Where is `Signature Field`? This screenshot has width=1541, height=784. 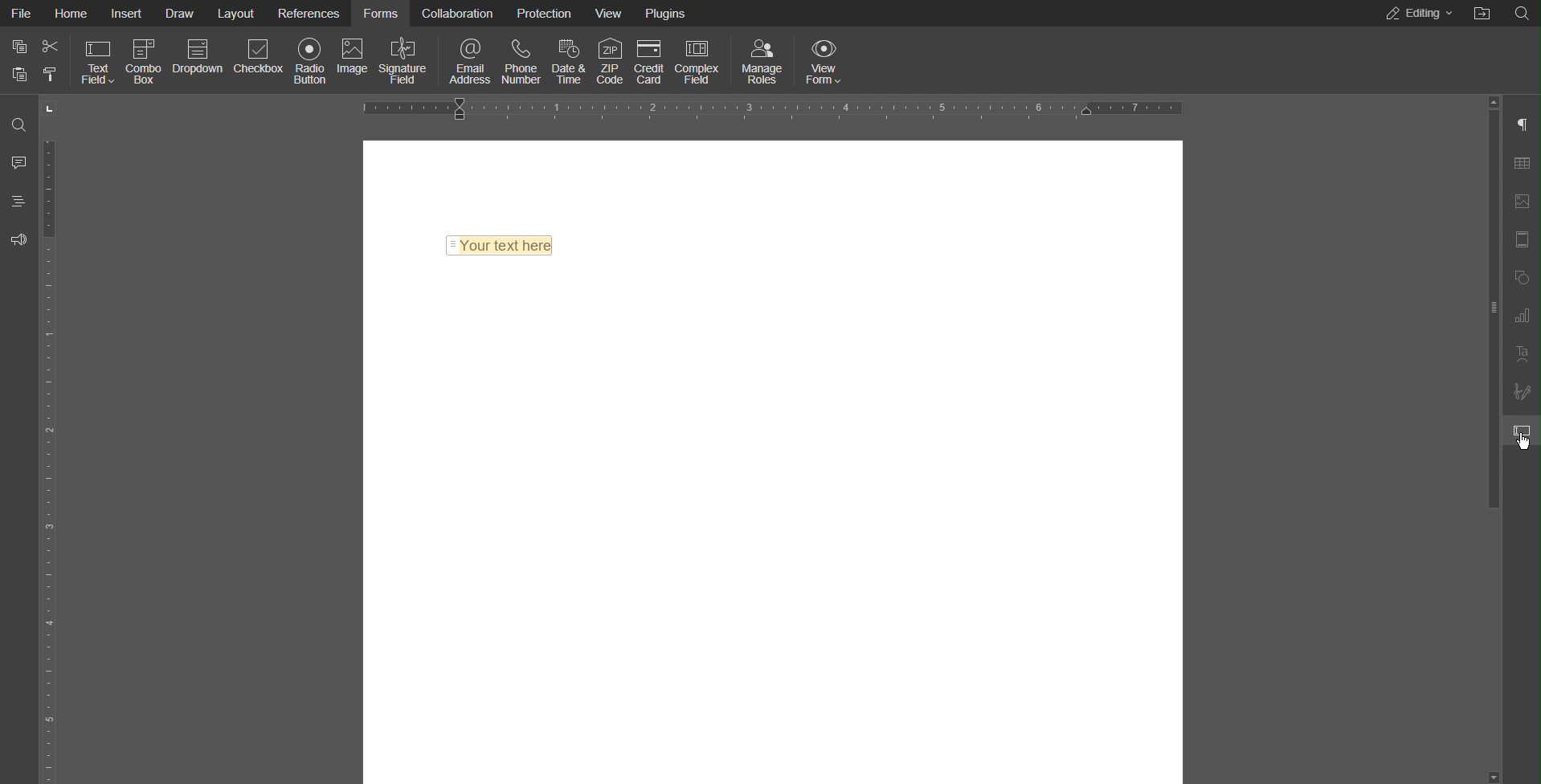 Signature Field is located at coordinates (407, 60).